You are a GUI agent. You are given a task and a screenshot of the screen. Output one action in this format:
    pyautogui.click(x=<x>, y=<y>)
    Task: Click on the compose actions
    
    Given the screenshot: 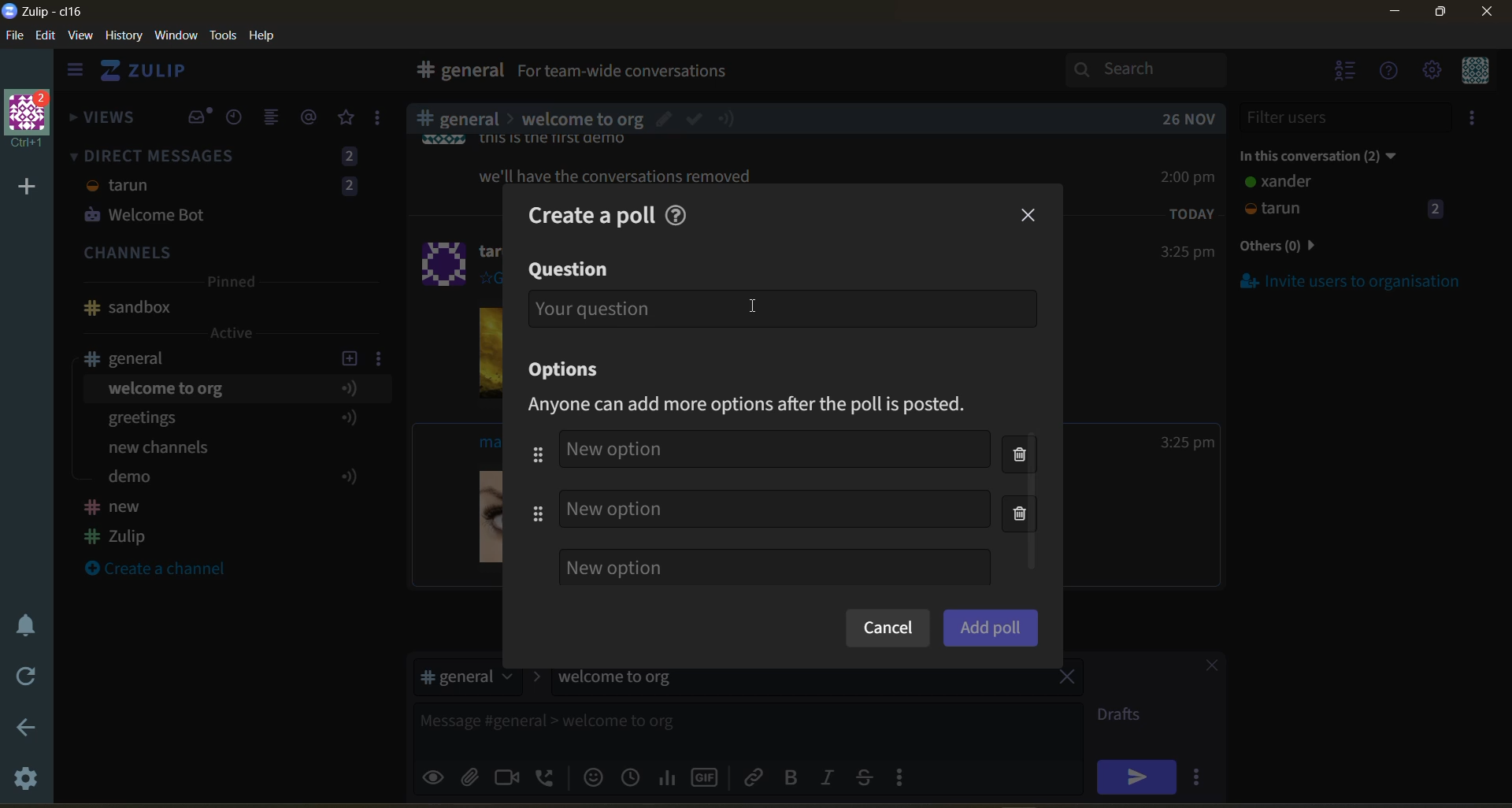 What is the action you would take?
    pyautogui.click(x=906, y=776)
    